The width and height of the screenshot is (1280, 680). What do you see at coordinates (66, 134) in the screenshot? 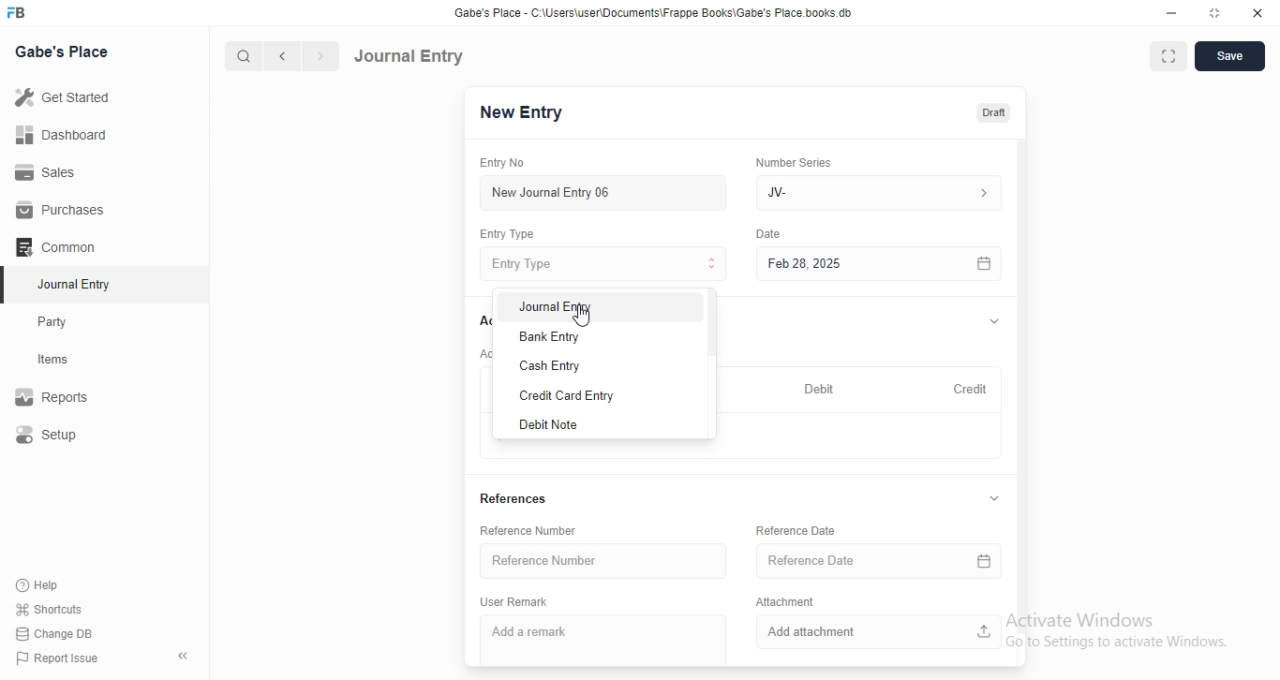
I see `Dashboard` at bounding box center [66, 134].